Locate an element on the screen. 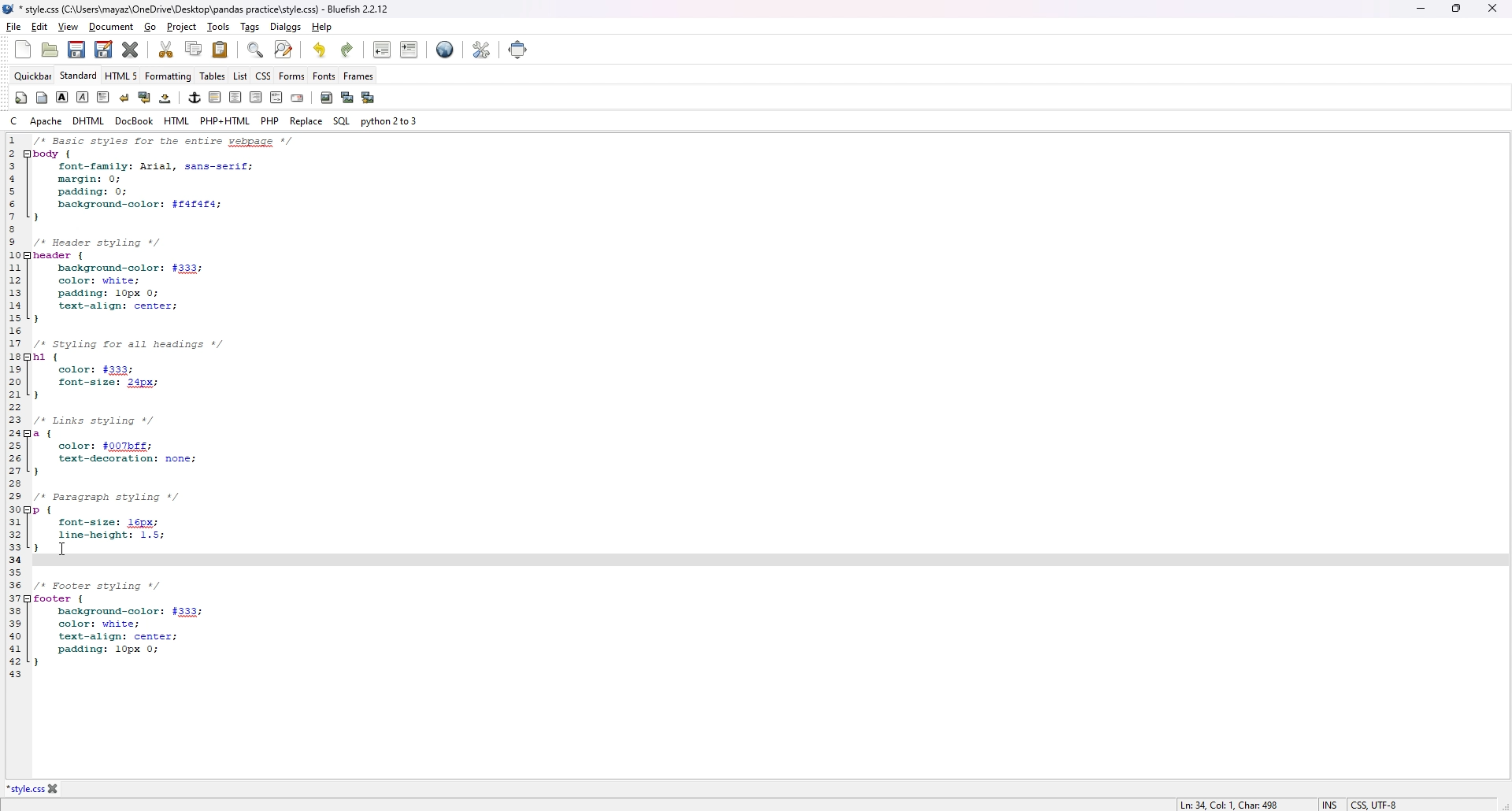 This screenshot has height=811, width=1512. Ln: 34, Col: 1, Char: 498 is located at coordinates (1231, 805).